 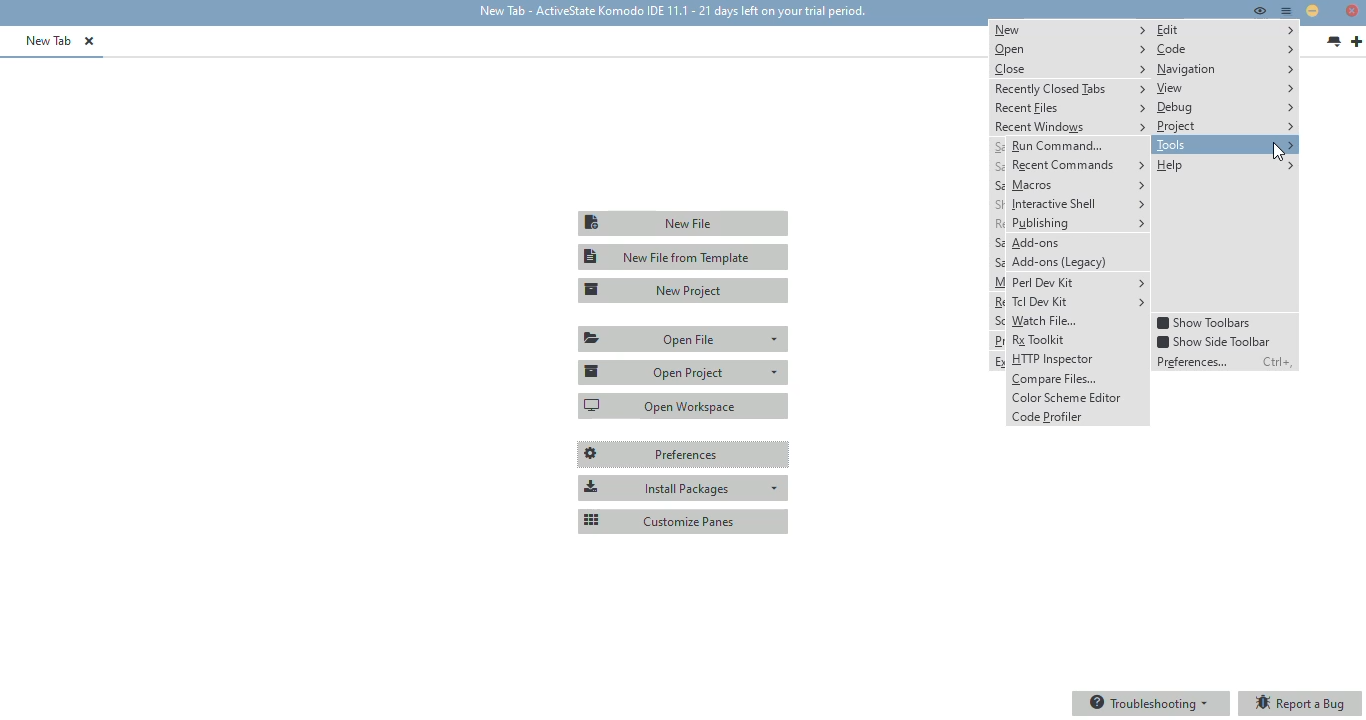 What do you see at coordinates (684, 455) in the screenshot?
I see `preferences` at bounding box center [684, 455].